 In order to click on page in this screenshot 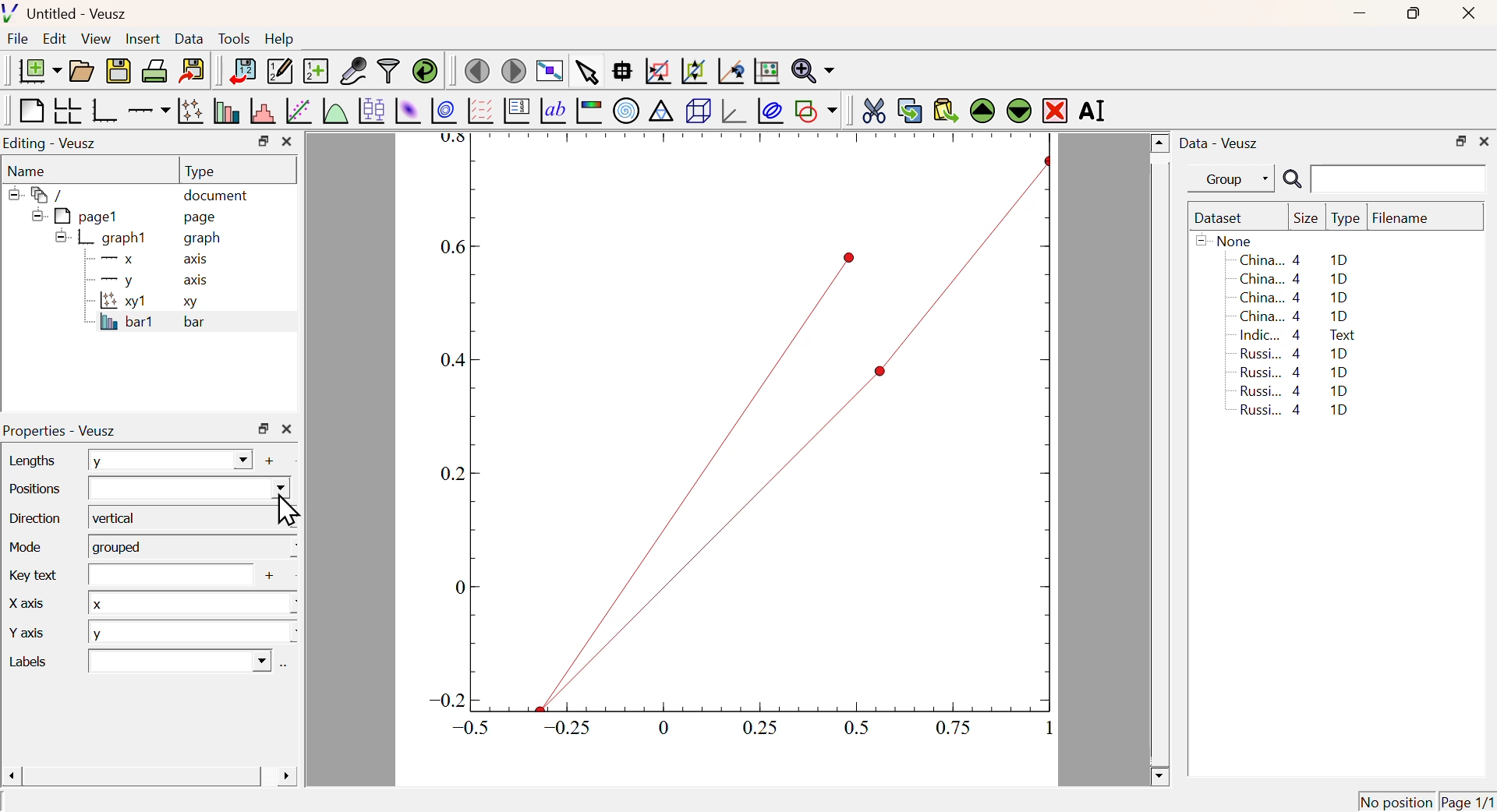, I will do `click(203, 217)`.